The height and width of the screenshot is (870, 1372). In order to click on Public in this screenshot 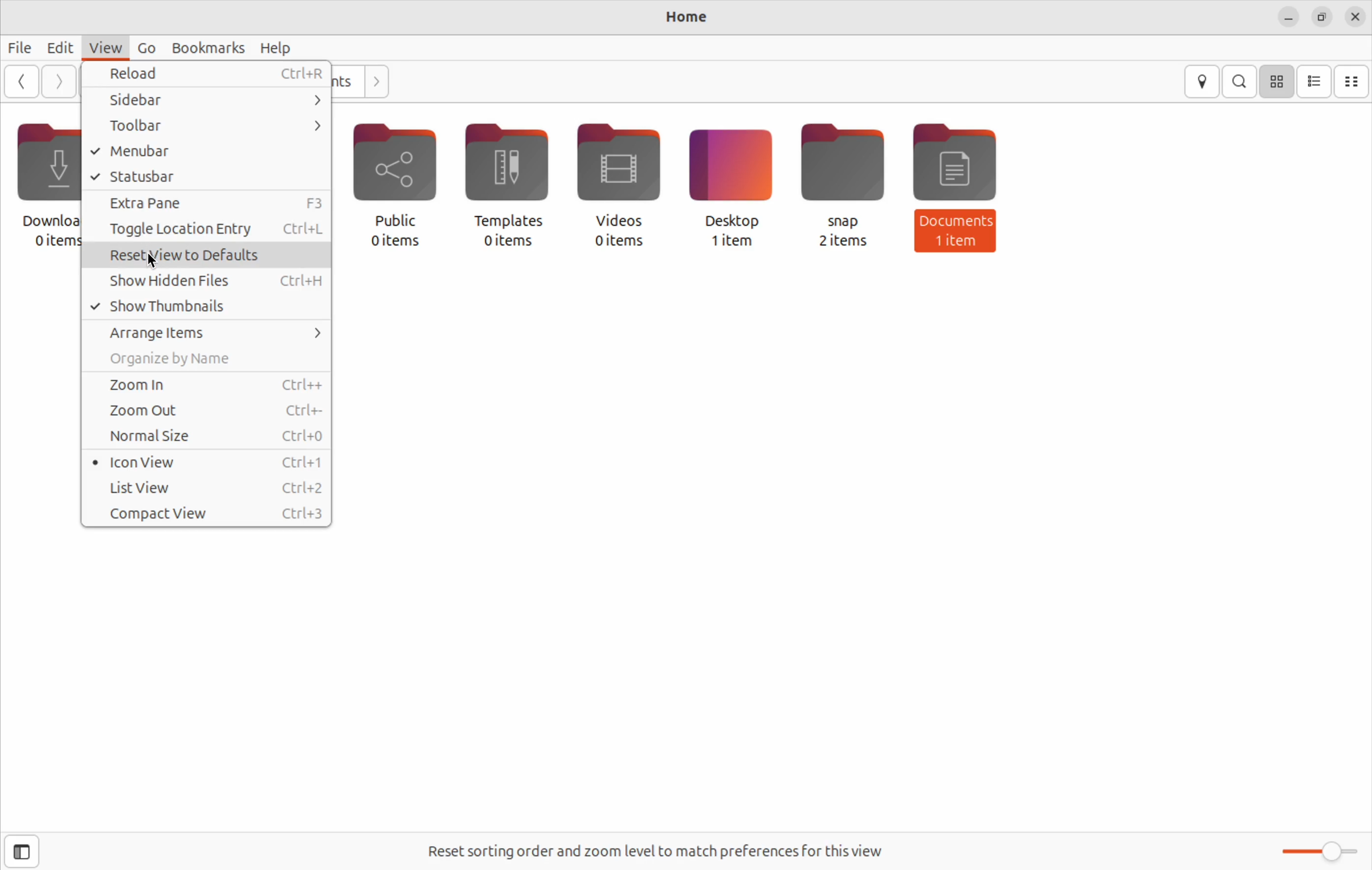, I will do `click(397, 170)`.